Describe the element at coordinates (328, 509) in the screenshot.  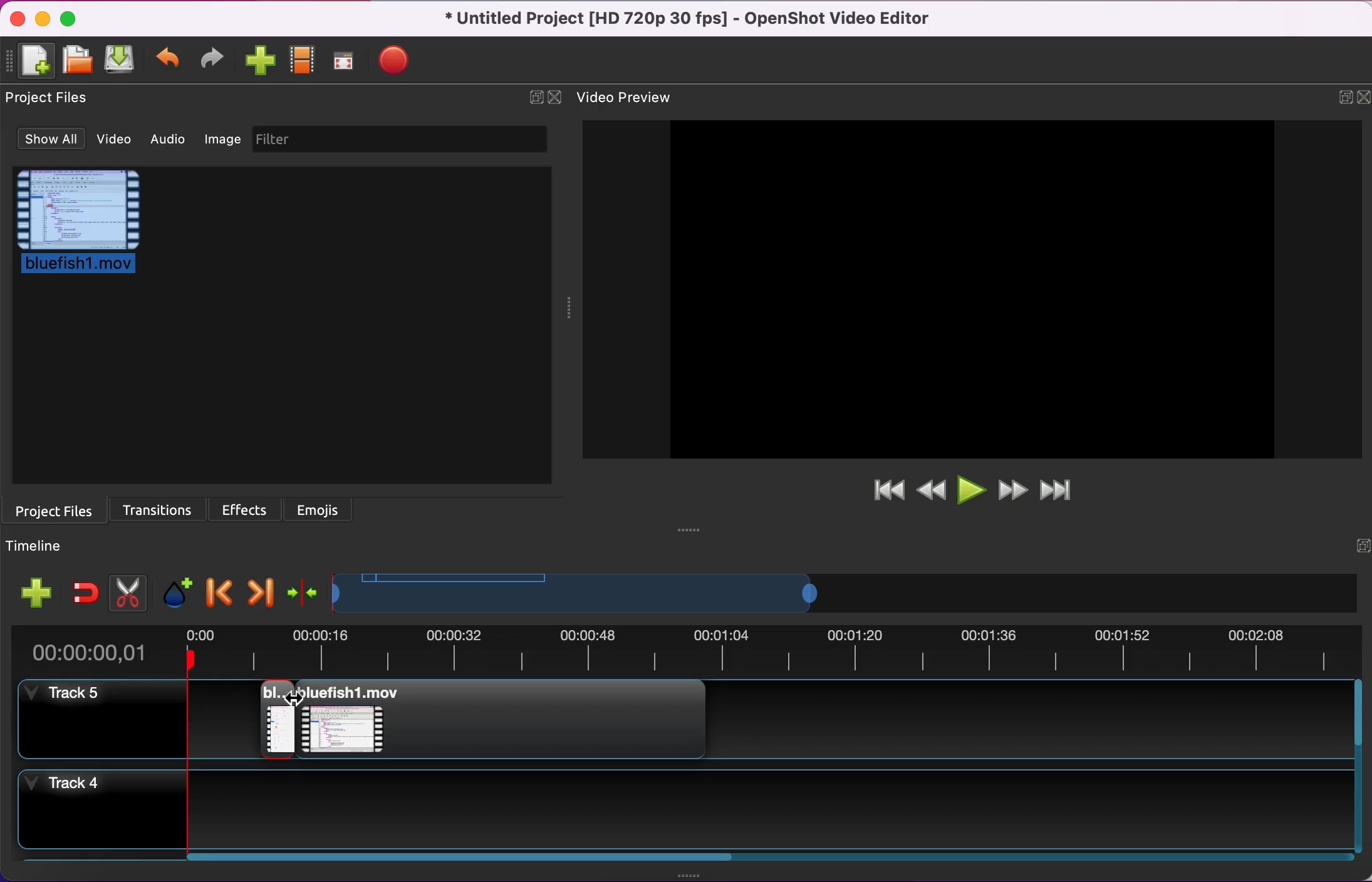
I see `emojis` at that location.